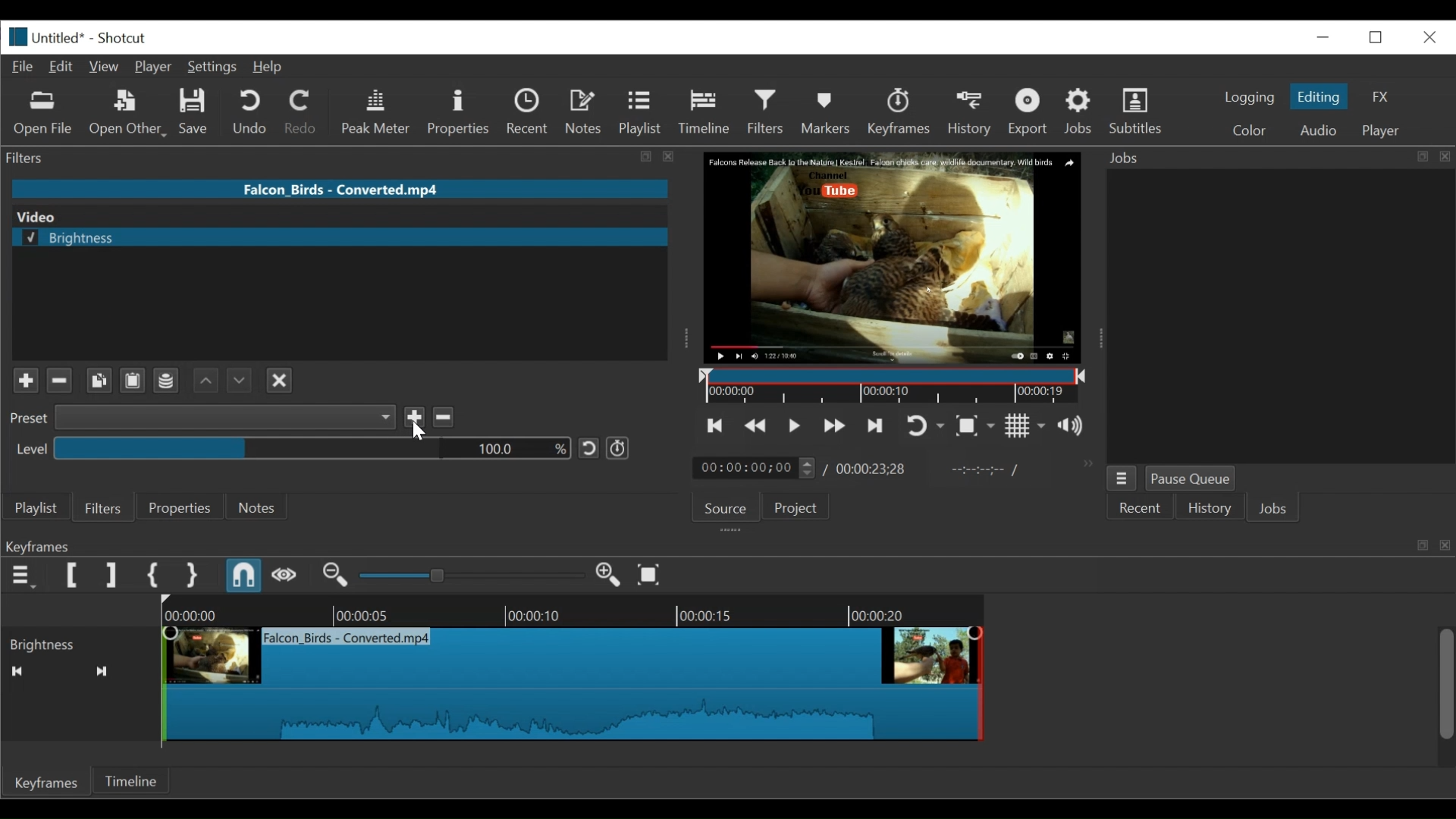 This screenshot has height=819, width=1456. Describe the element at coordinates (44, 37) in the screenshot. I see `File Name` at that location.